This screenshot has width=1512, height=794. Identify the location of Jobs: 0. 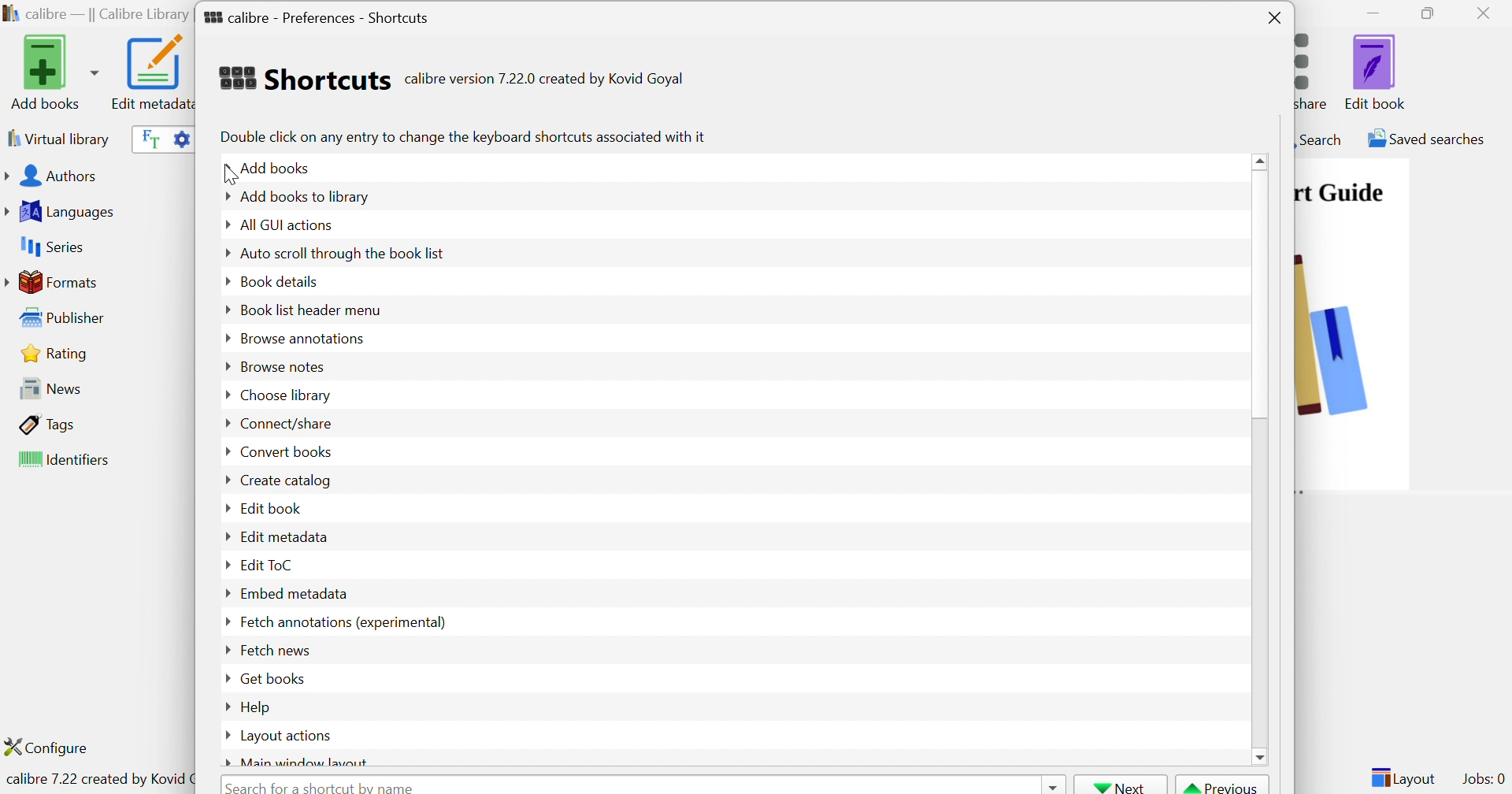
(1484, 780).